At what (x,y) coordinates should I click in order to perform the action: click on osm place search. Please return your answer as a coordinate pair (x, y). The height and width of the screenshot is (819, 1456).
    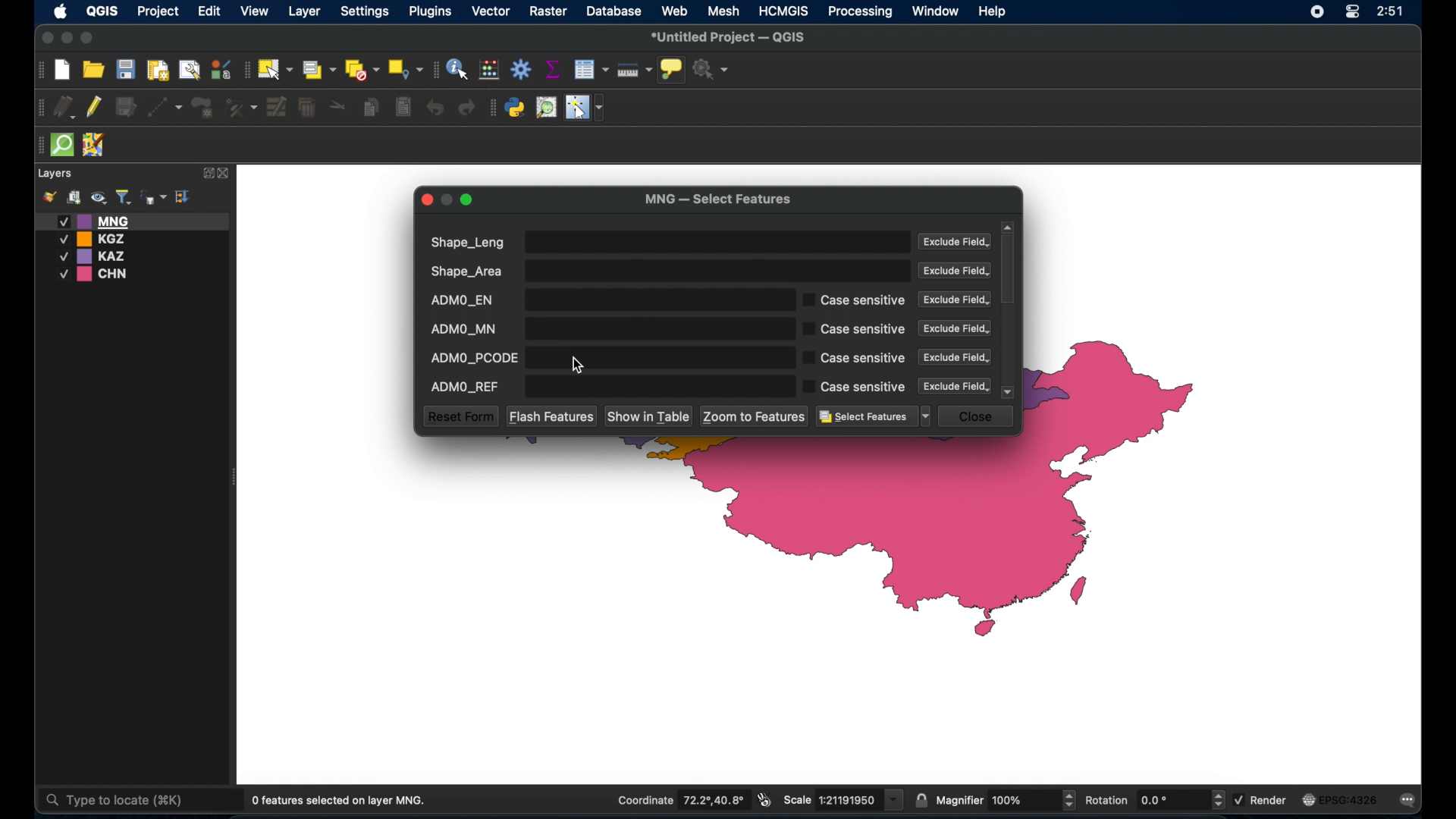
    Looking at the image, I should click on (546, 108).